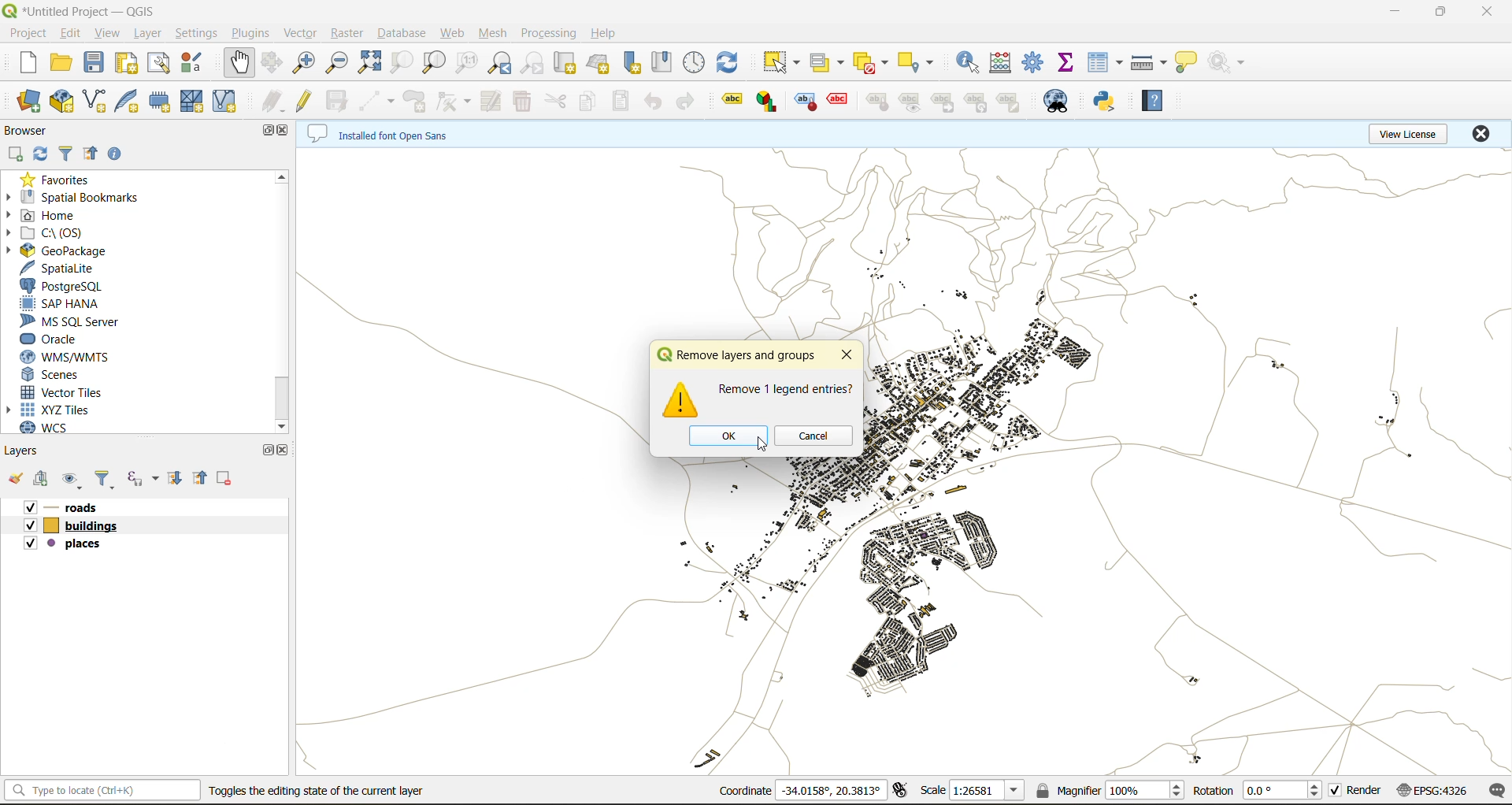 The height and width of the screenshot is (805, 1512). What do you see at coordinates (1362, 792) in the screenshot?
I see `render` at bounding box center [1362, 792].